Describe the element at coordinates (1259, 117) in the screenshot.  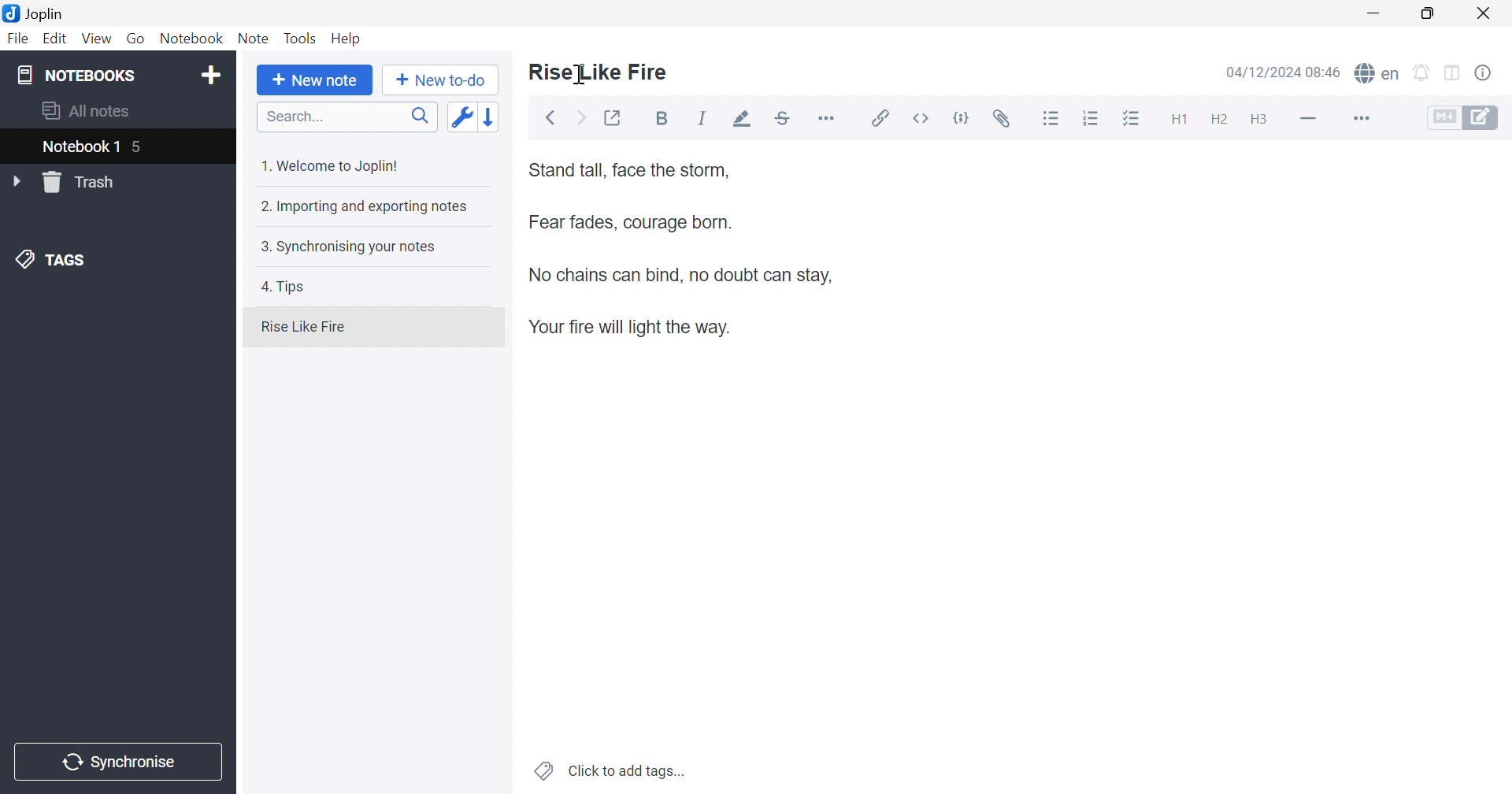
I see `Heading 3` at that location.